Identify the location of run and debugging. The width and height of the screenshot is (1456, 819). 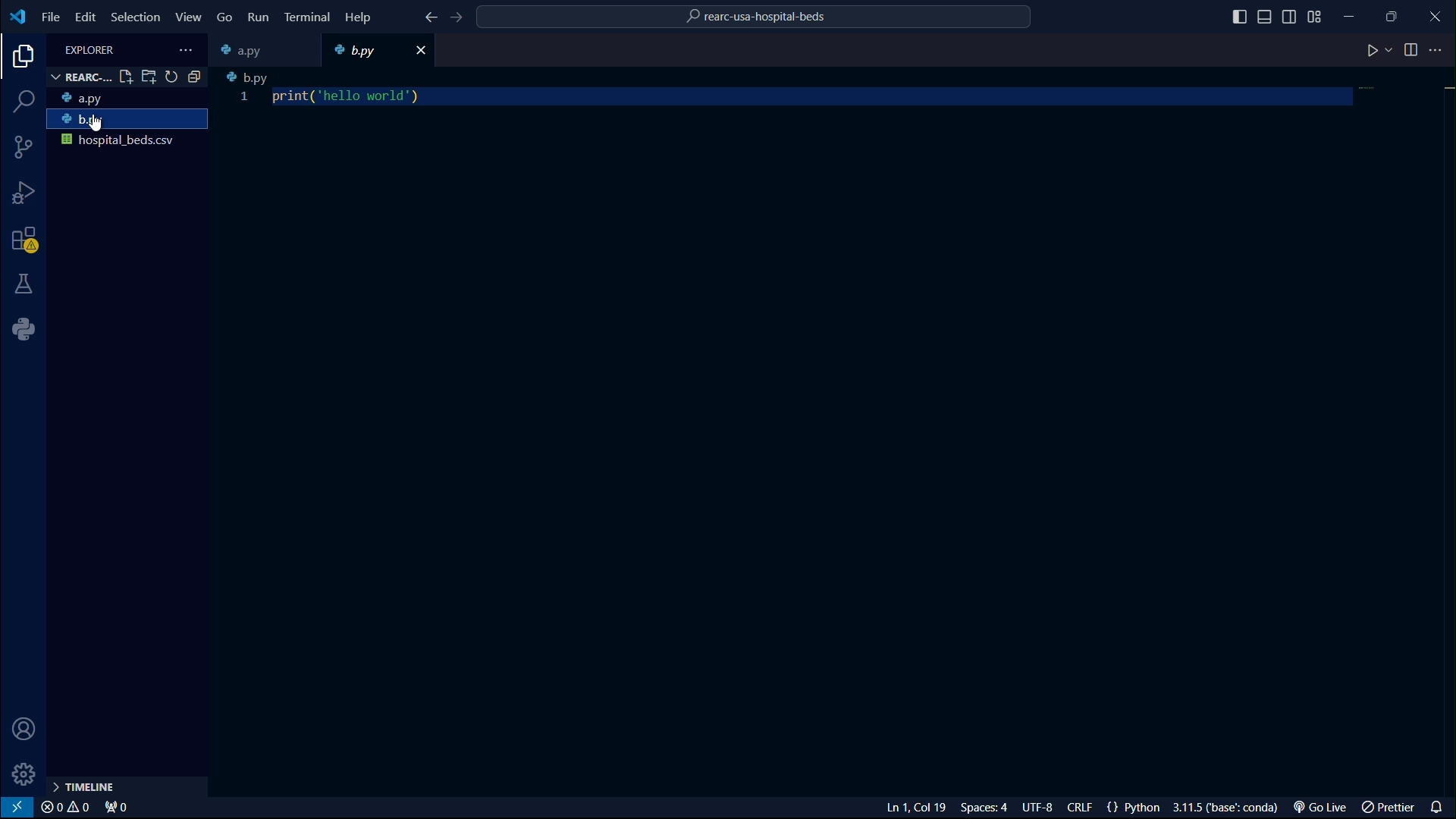
(25, 194).